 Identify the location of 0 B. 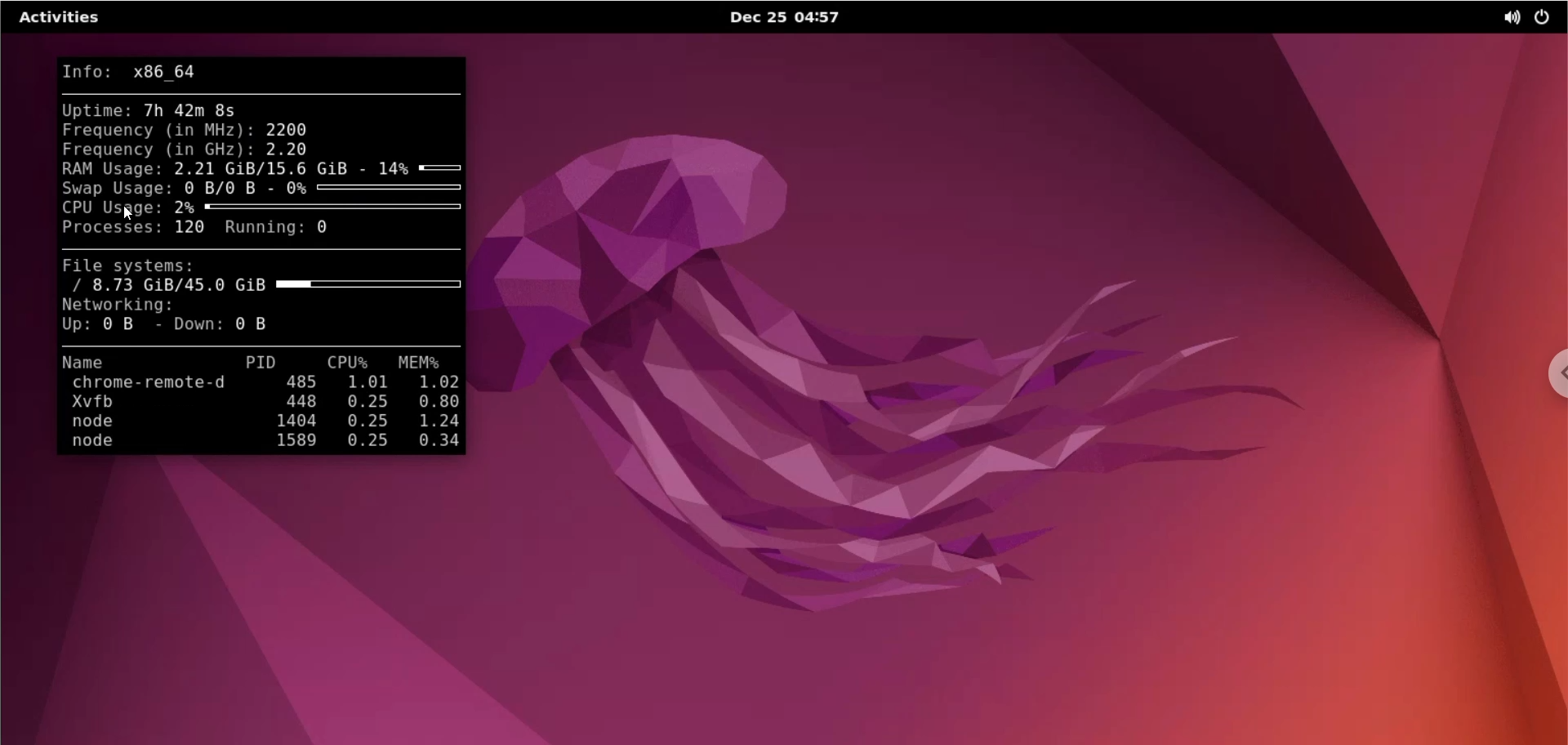
(254, 324).